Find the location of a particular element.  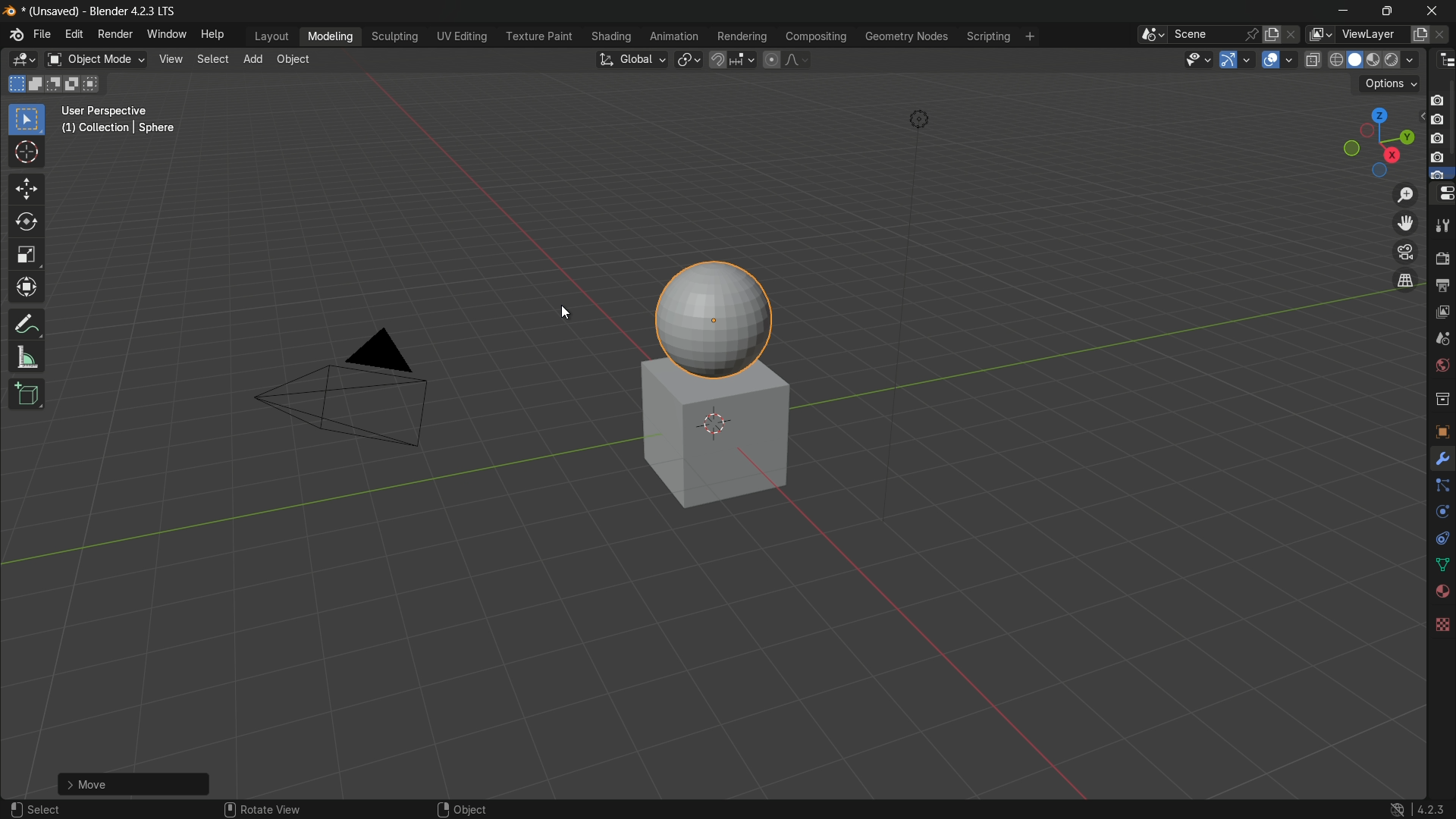

zoom in/out is located at coordinates (1403, 193).